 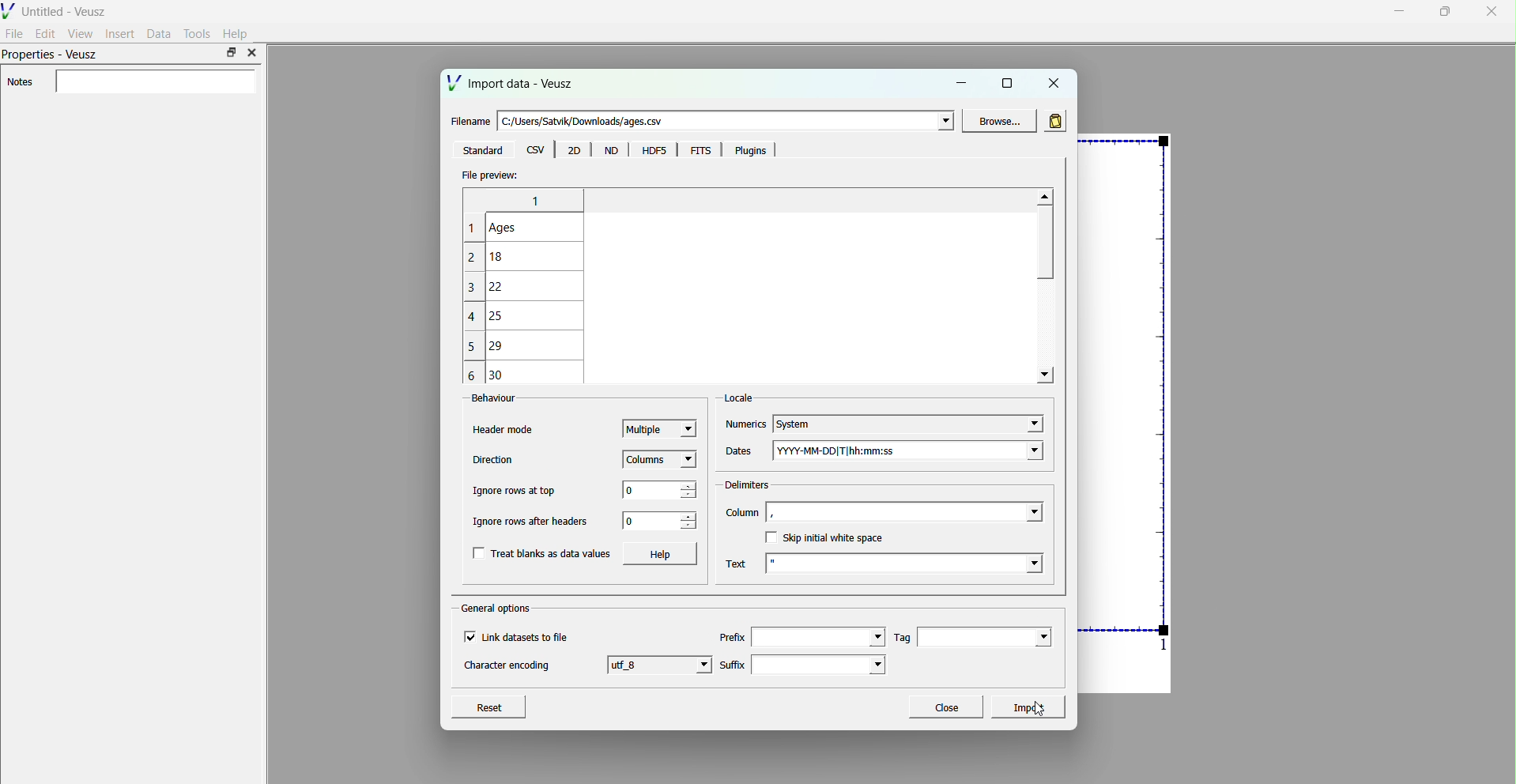 What do you see at coordinates (155, 82) in the screenshot?
I see `enter notes field` at bounding box center [155, 82].